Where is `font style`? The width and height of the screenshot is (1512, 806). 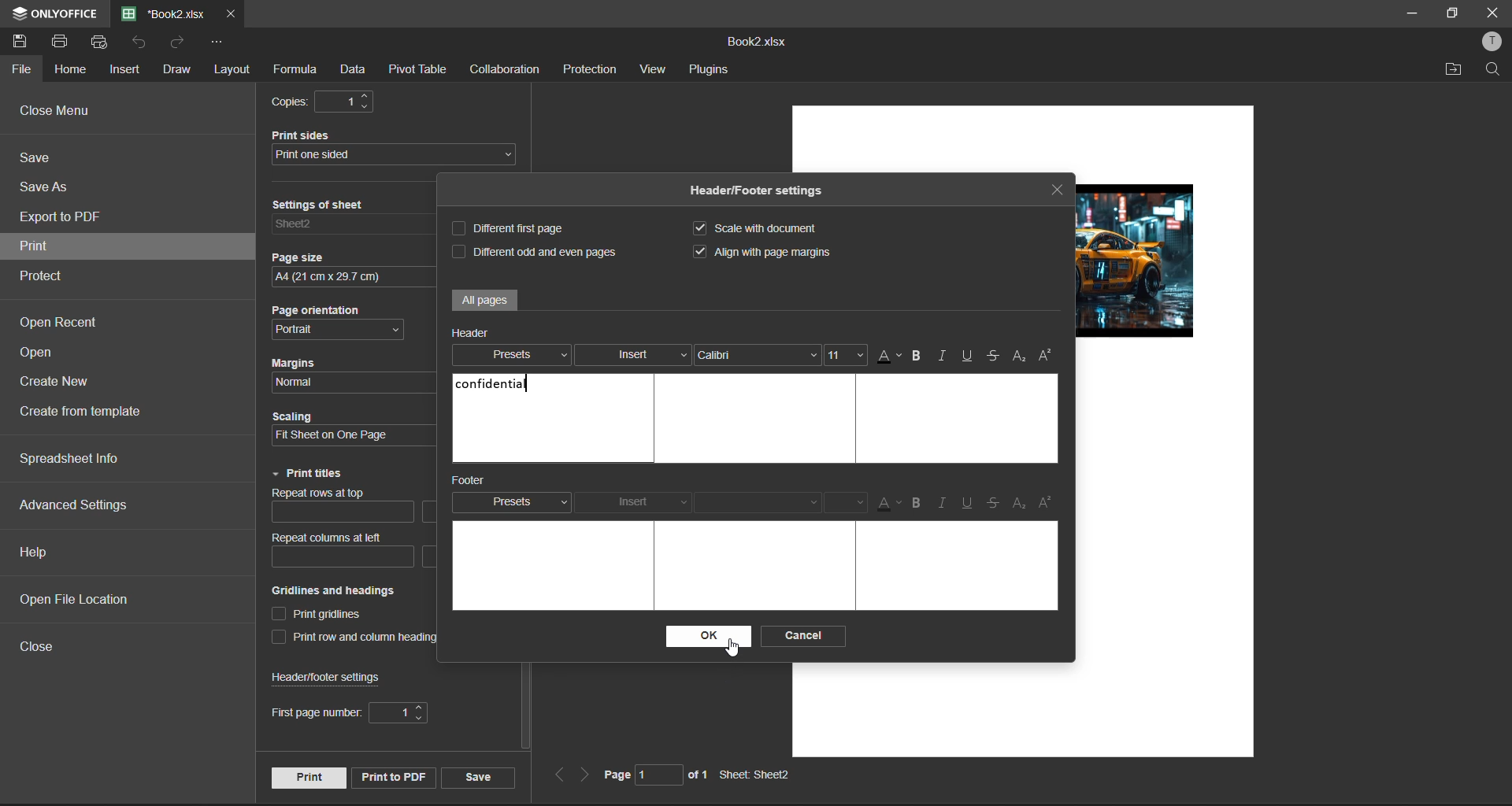 font style is located at coordinates (757, 359).